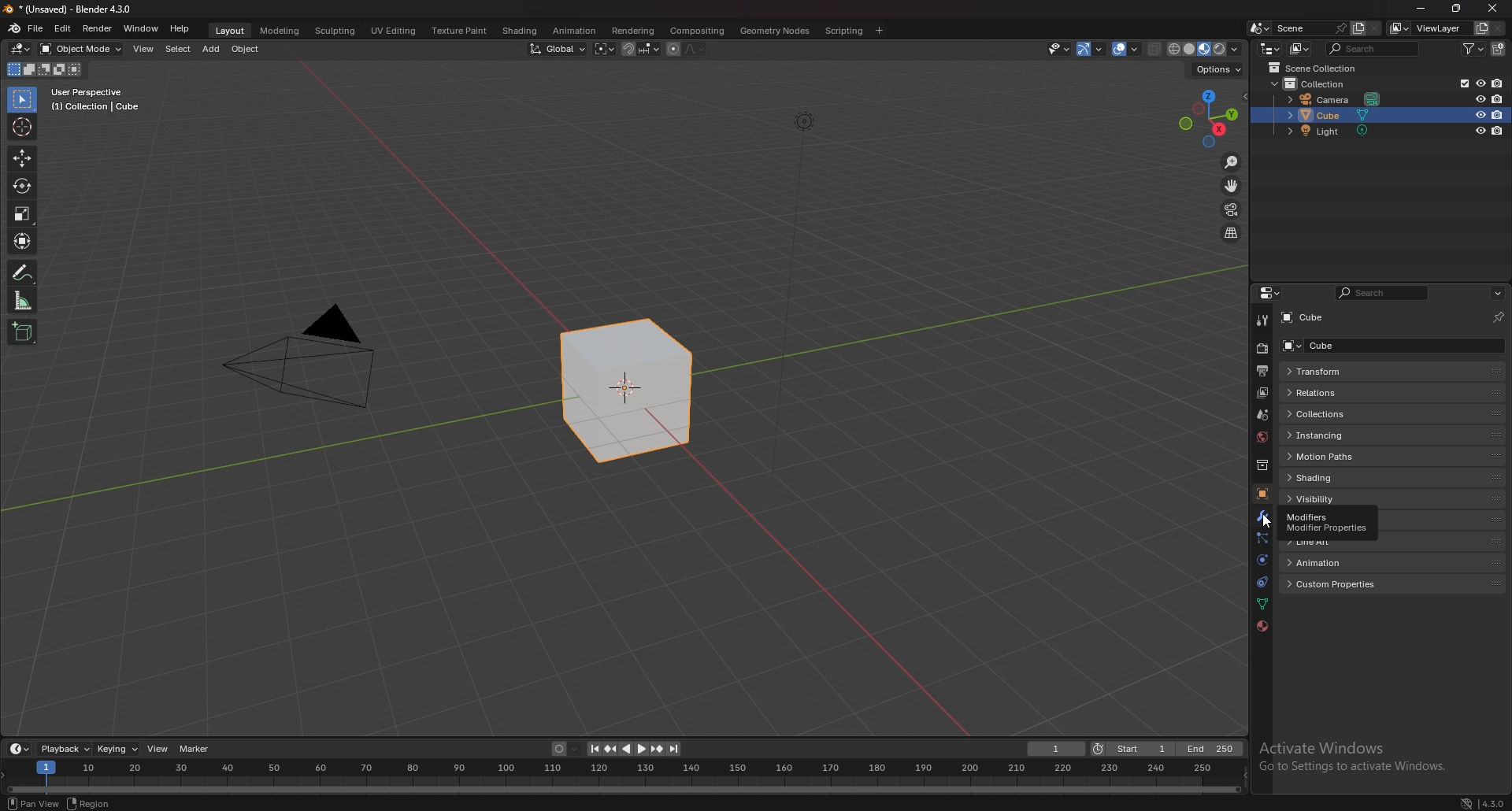 Image resolution: width=1512 pixels, height=811 pixels. What do you see at coordinates (1261, 581) in the screenshot?
I see `constraints` at bounding box center [1261, 581].